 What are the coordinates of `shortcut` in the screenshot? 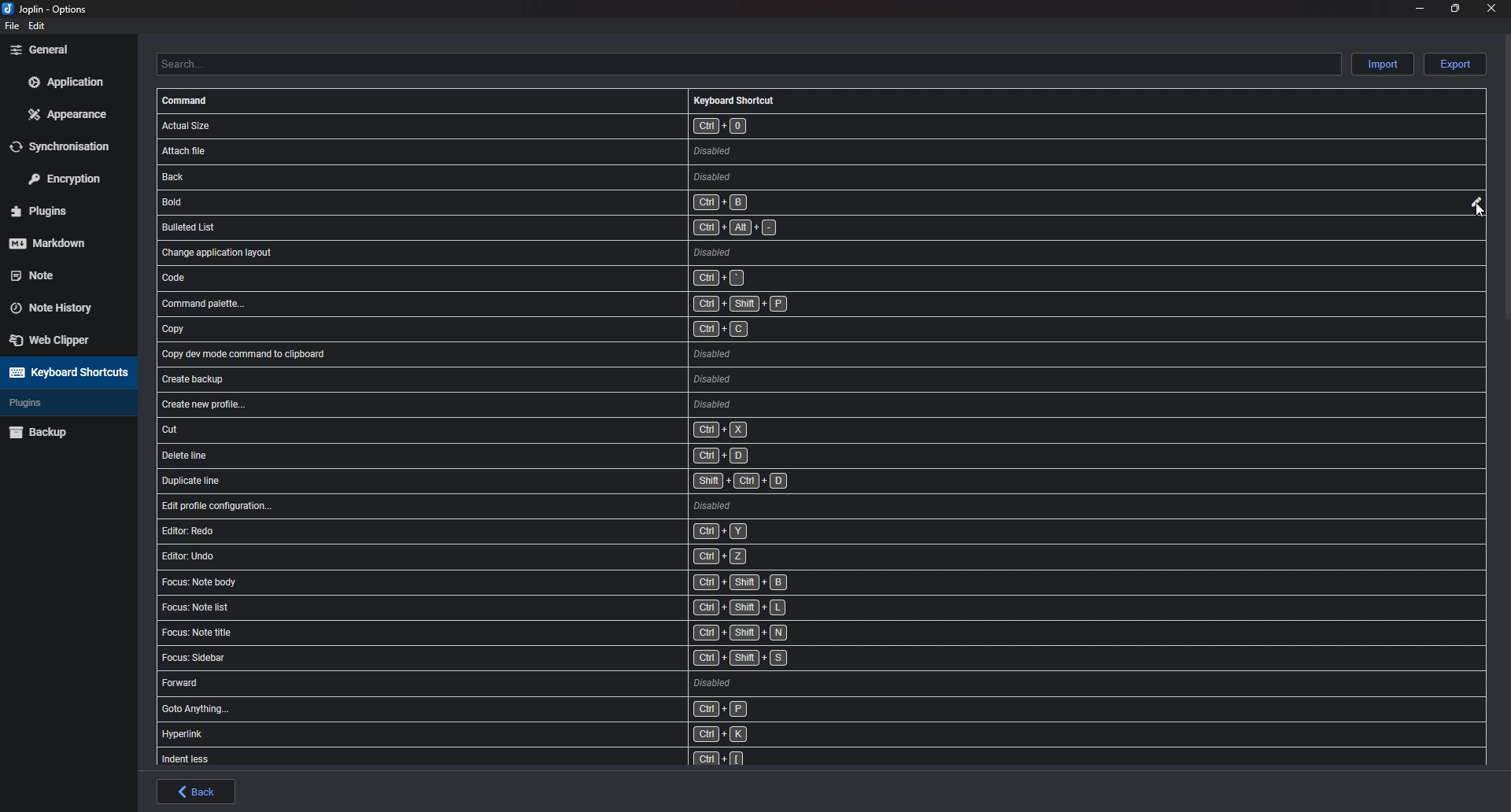 It's located at (515, 633).